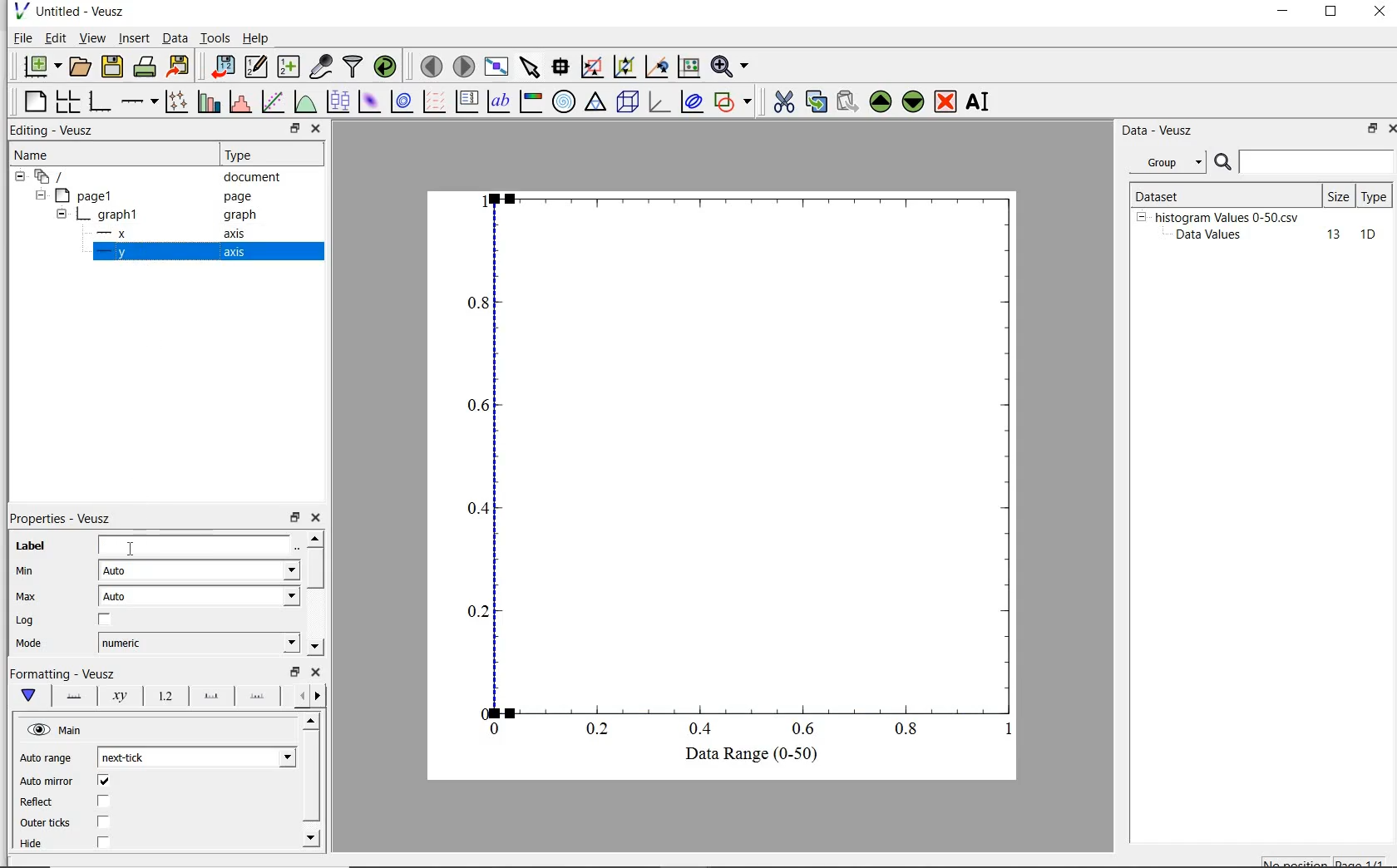 This screenshot has height=868, width=1397. I want to click on y-axis, so click(115, 253).